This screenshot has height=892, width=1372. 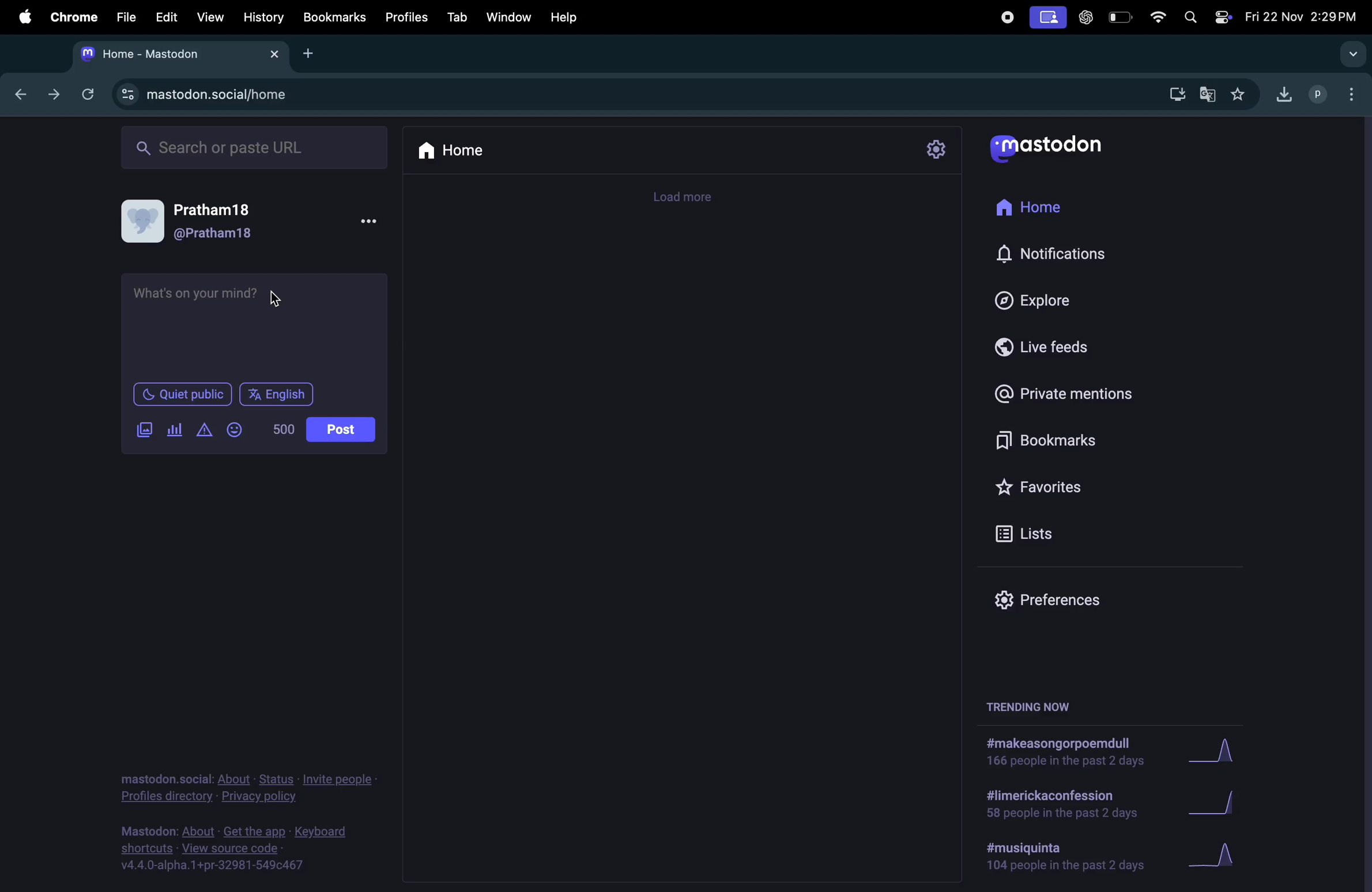 What do you see at coordinates (1223, 750) in the screenshot?
I see `graph` at bounding box center [1223, 750].